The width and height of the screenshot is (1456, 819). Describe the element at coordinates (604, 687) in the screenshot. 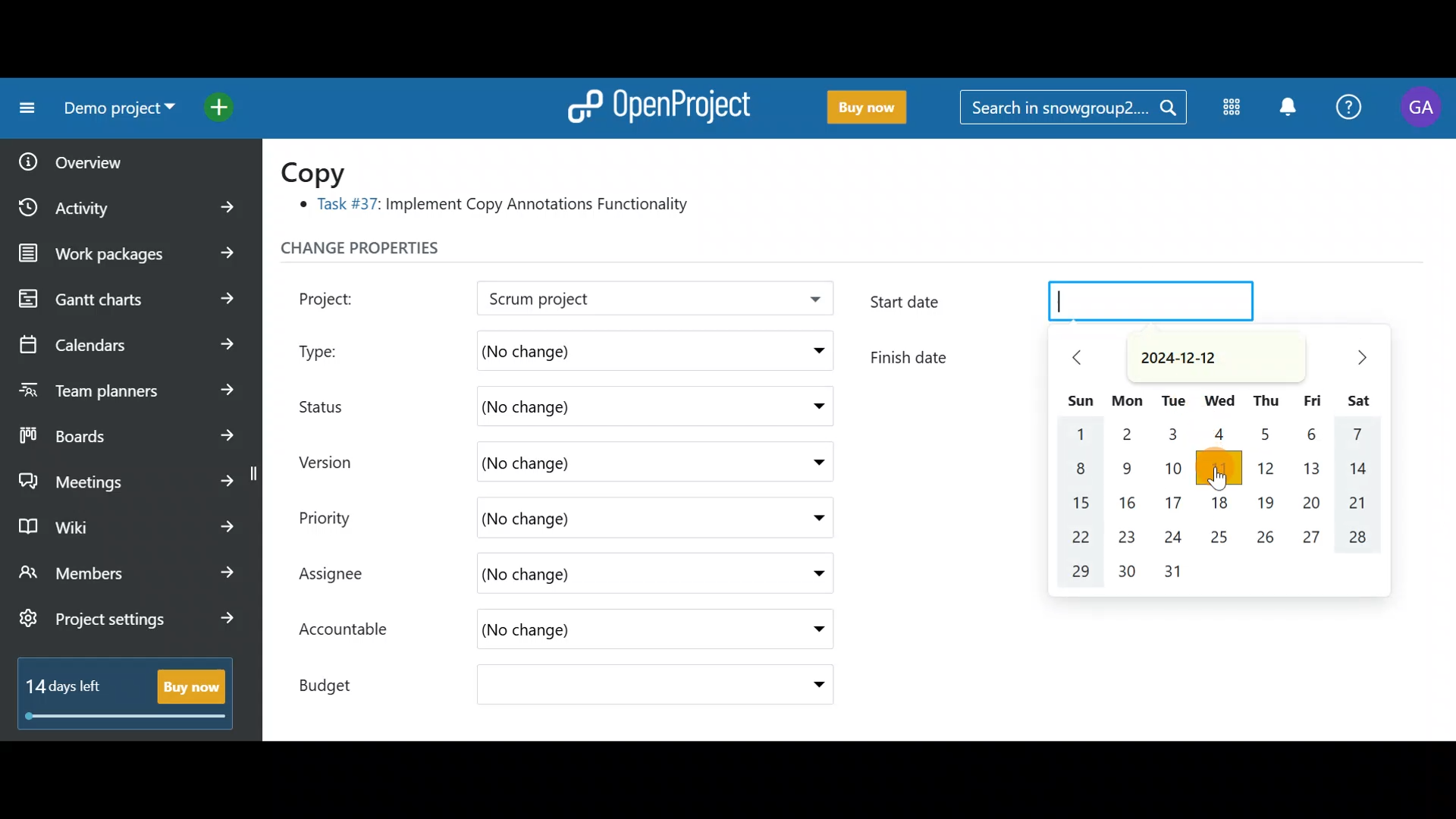

I see `(No change)` at that location.